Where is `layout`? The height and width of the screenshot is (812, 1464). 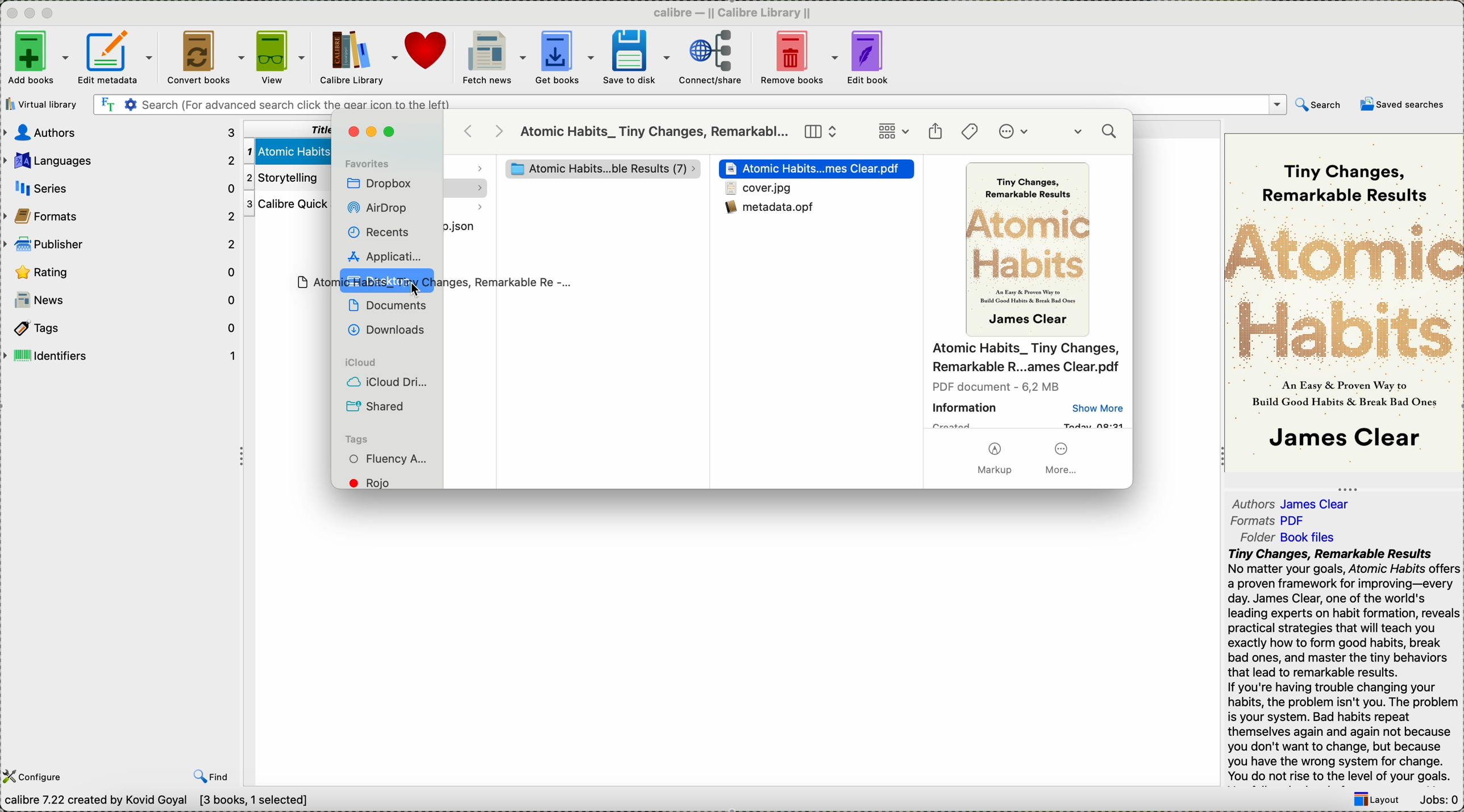 layout is located at coordinates (1375, 801).